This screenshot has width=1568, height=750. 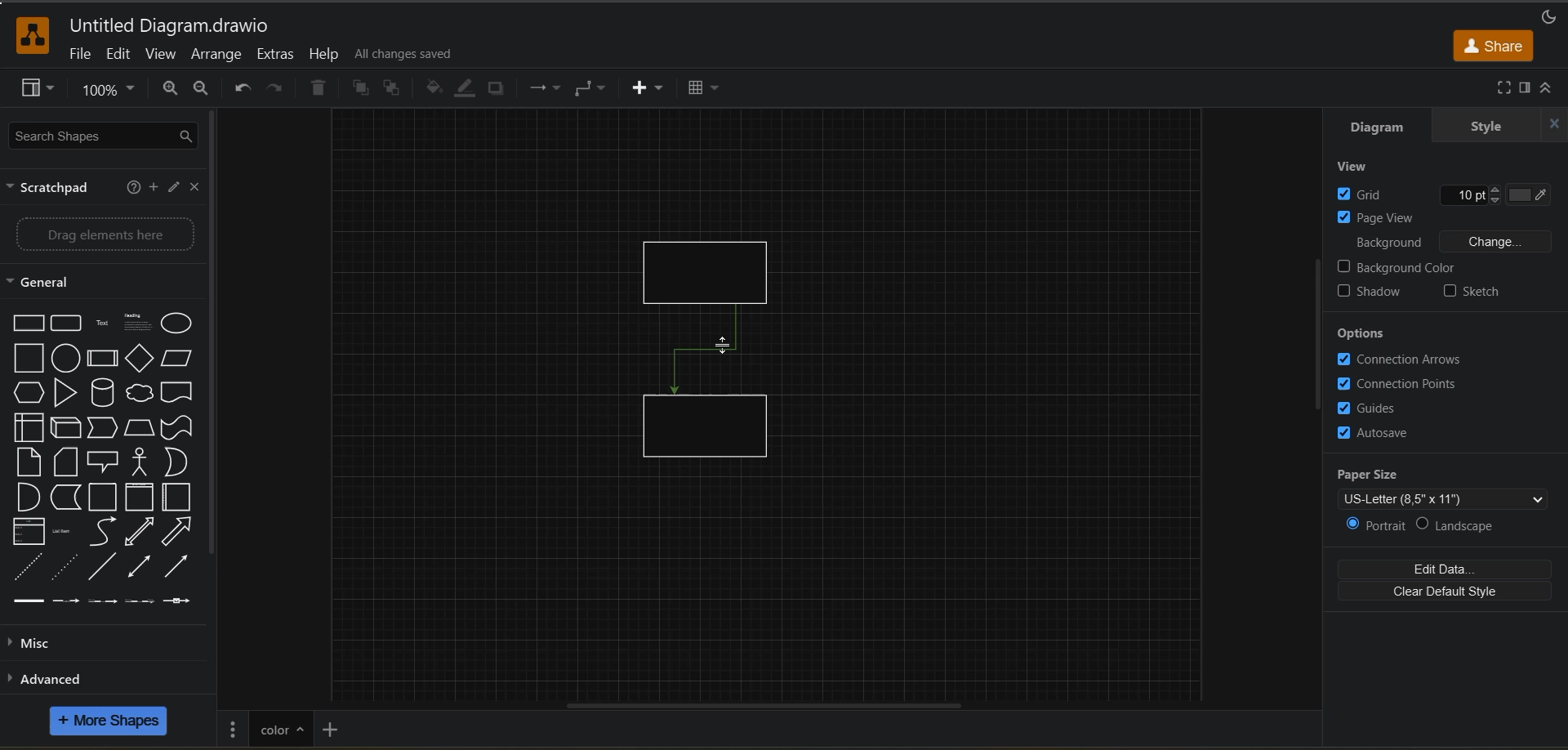 What do you see at coordinates (1363, 335) in the screenshot?
I see `options` at bounding box center [1363, 335].